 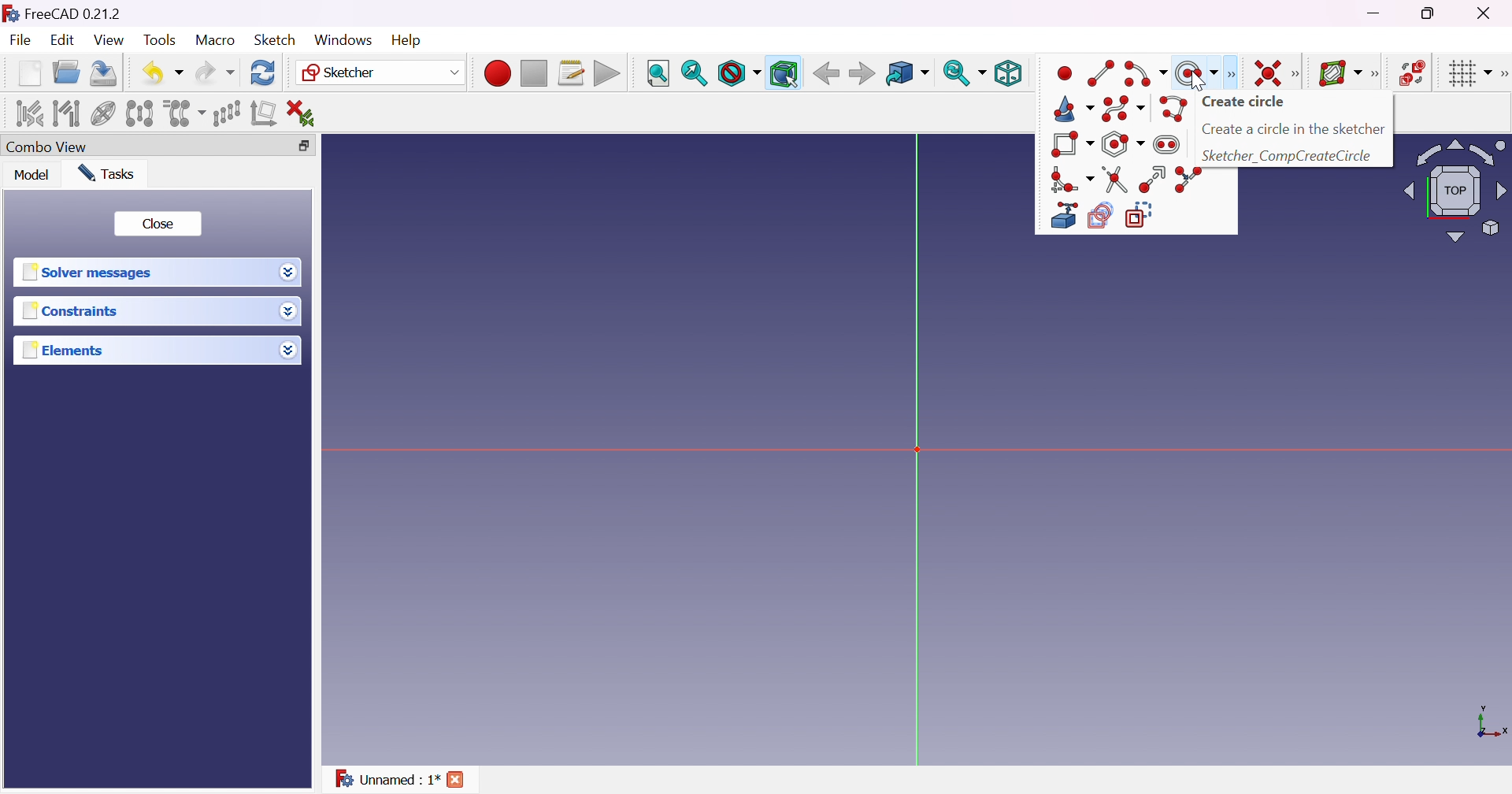 What do you see at coordinates (343, 39) in the screenshot?
I see `Windows` at bounding box center [343, 39].